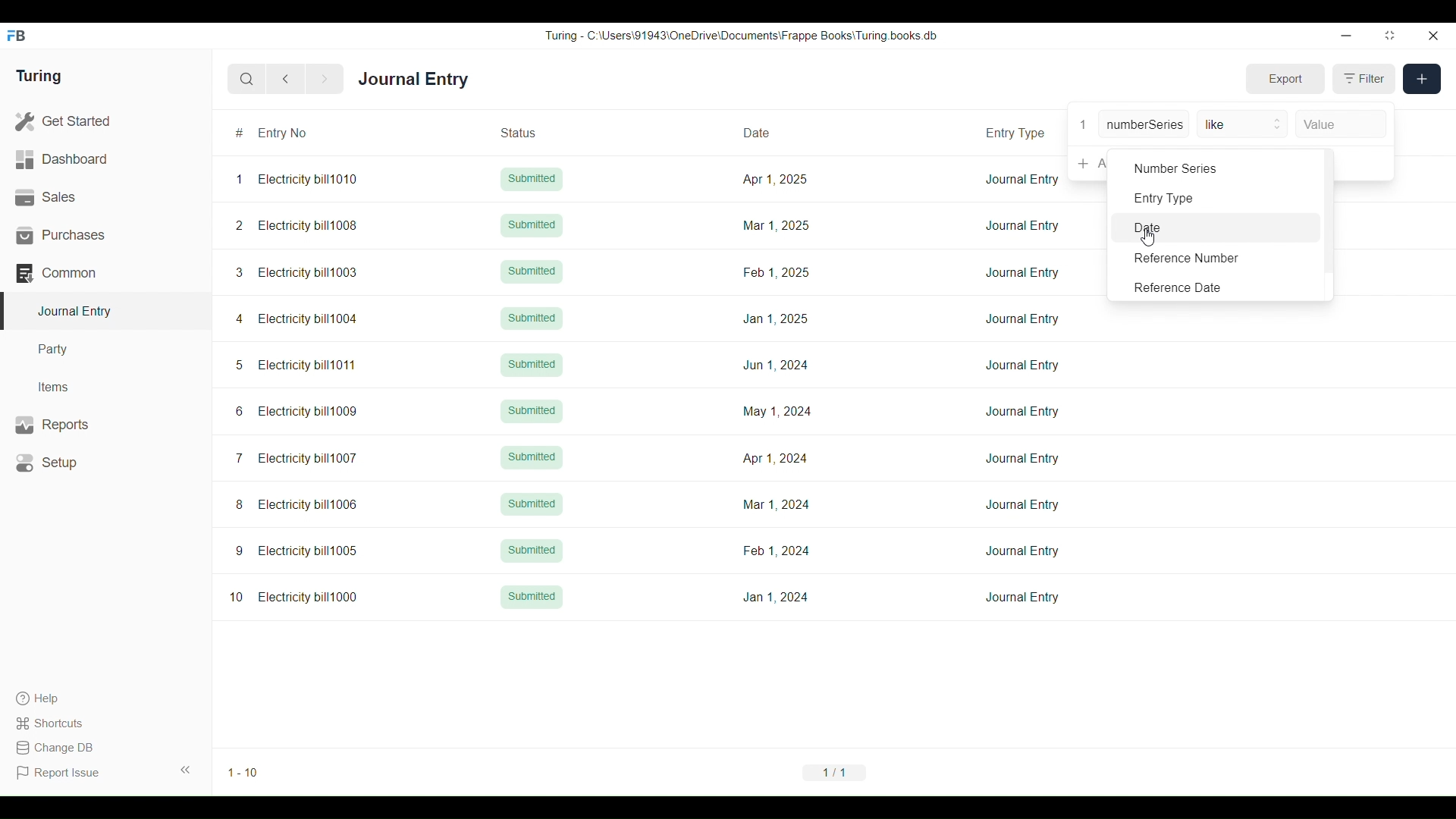 This screenshot has height=819, width=1456. Describe the element at coordinates (105, 350) in the screenshot. I see `Party` at that location.